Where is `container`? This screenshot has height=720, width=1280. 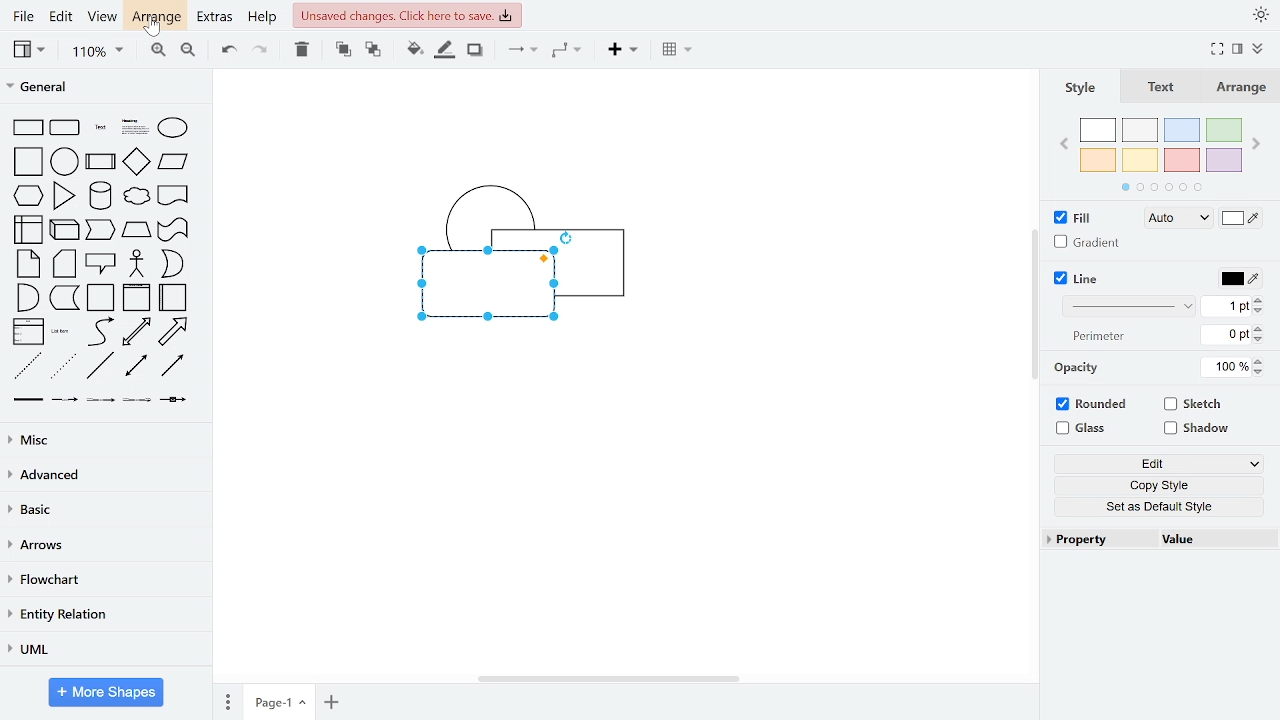
container is located at coordinates (101, 298).